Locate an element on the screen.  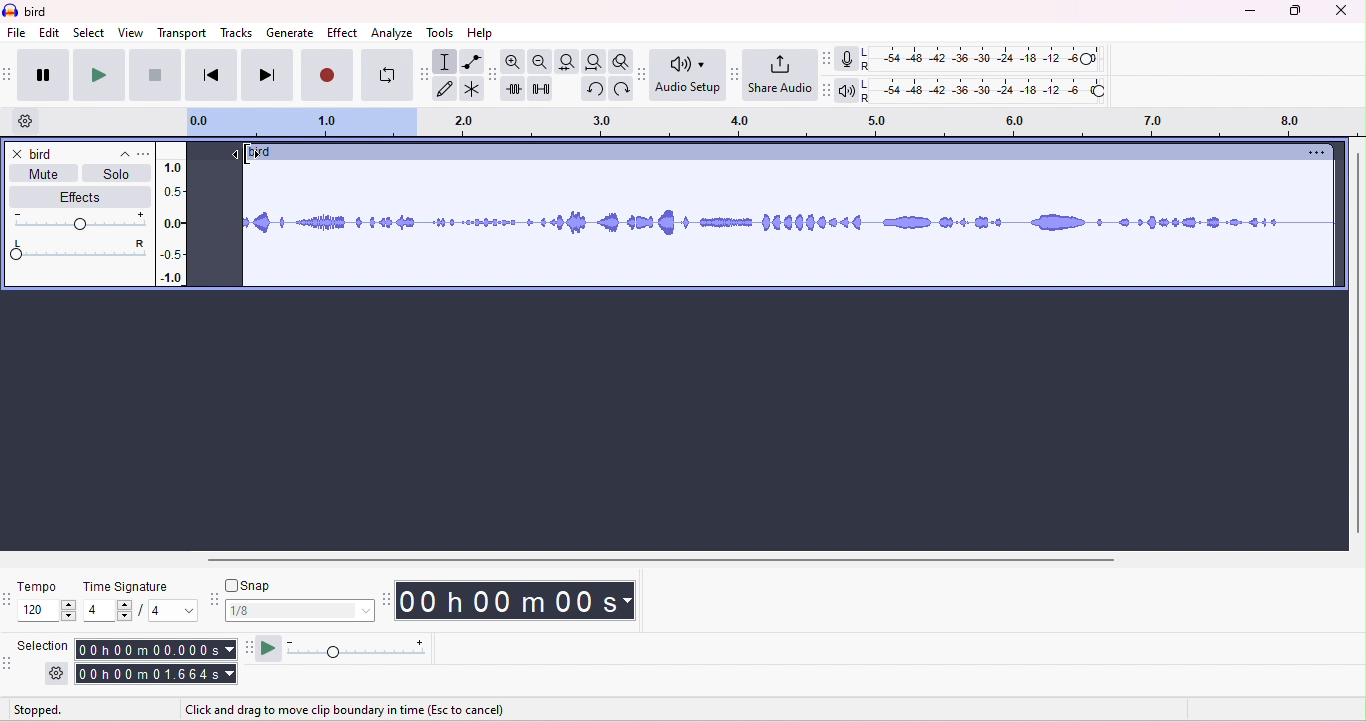
play at speed/ play at speed once is located at coordinates (268, 648).